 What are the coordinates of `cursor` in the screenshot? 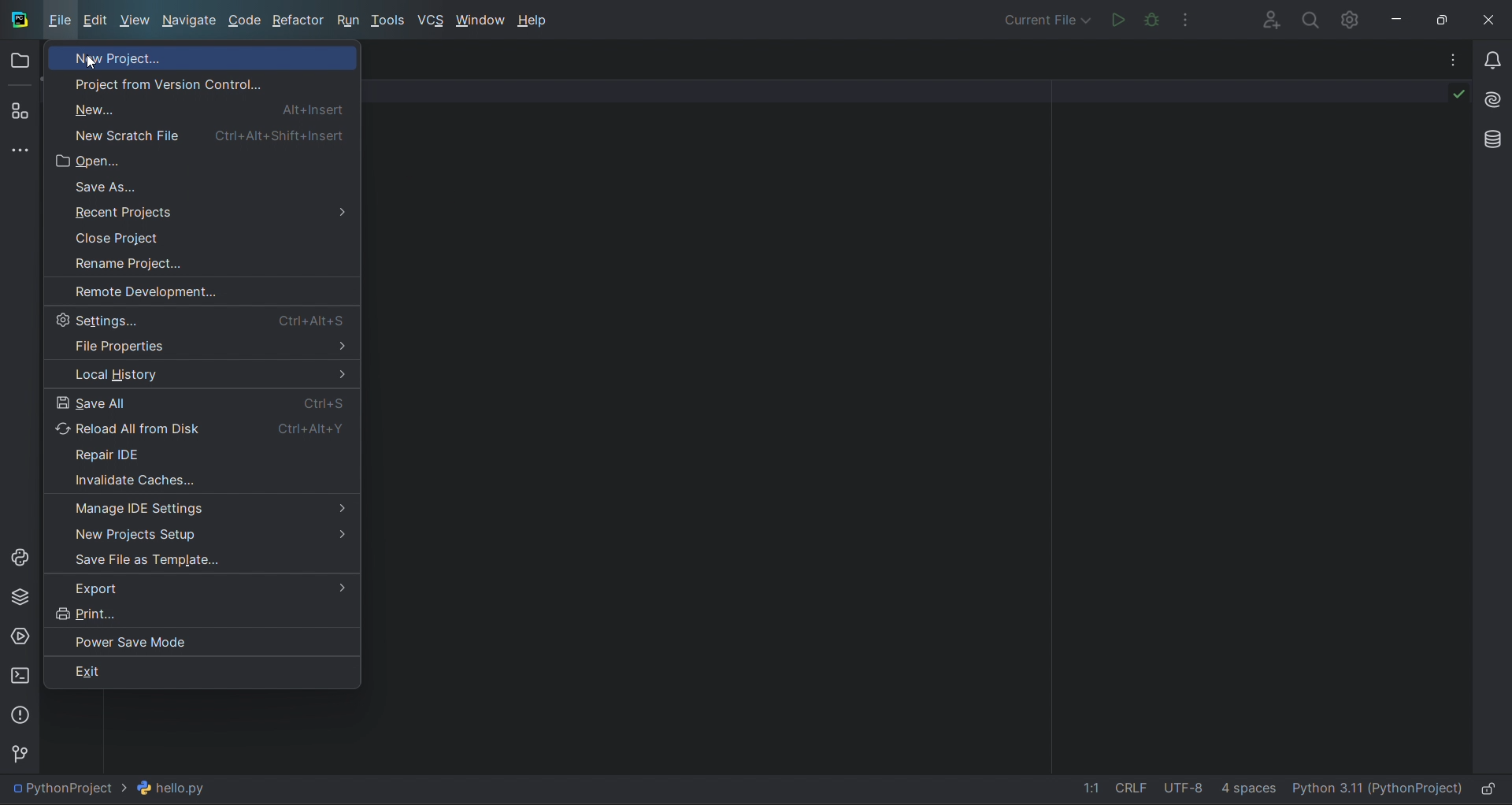 It's located at (92, 63).